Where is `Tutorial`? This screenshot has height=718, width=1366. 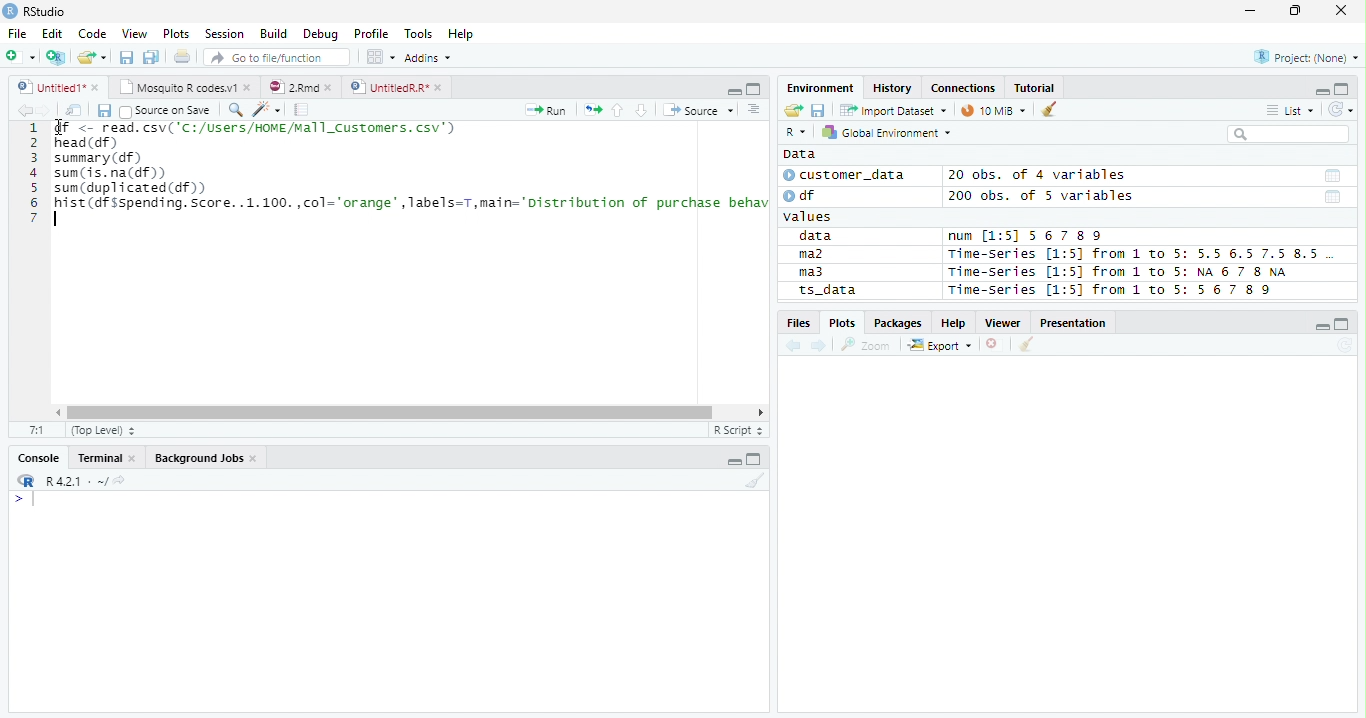
Tutorial is located at coordinates (1035, 87).